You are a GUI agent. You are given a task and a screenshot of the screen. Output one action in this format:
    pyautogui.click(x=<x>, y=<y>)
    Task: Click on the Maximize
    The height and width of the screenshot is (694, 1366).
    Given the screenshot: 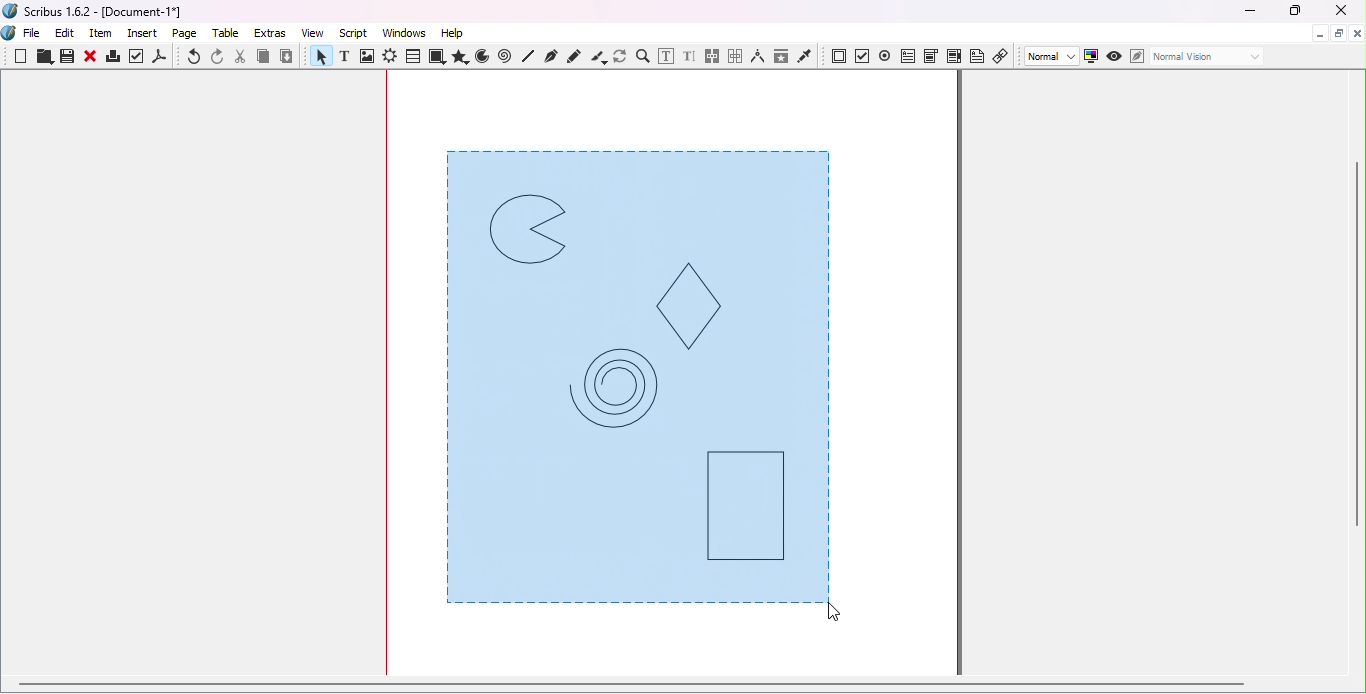 What is the action you would take?
    pyautogui.click(x=1293, y=11)
    